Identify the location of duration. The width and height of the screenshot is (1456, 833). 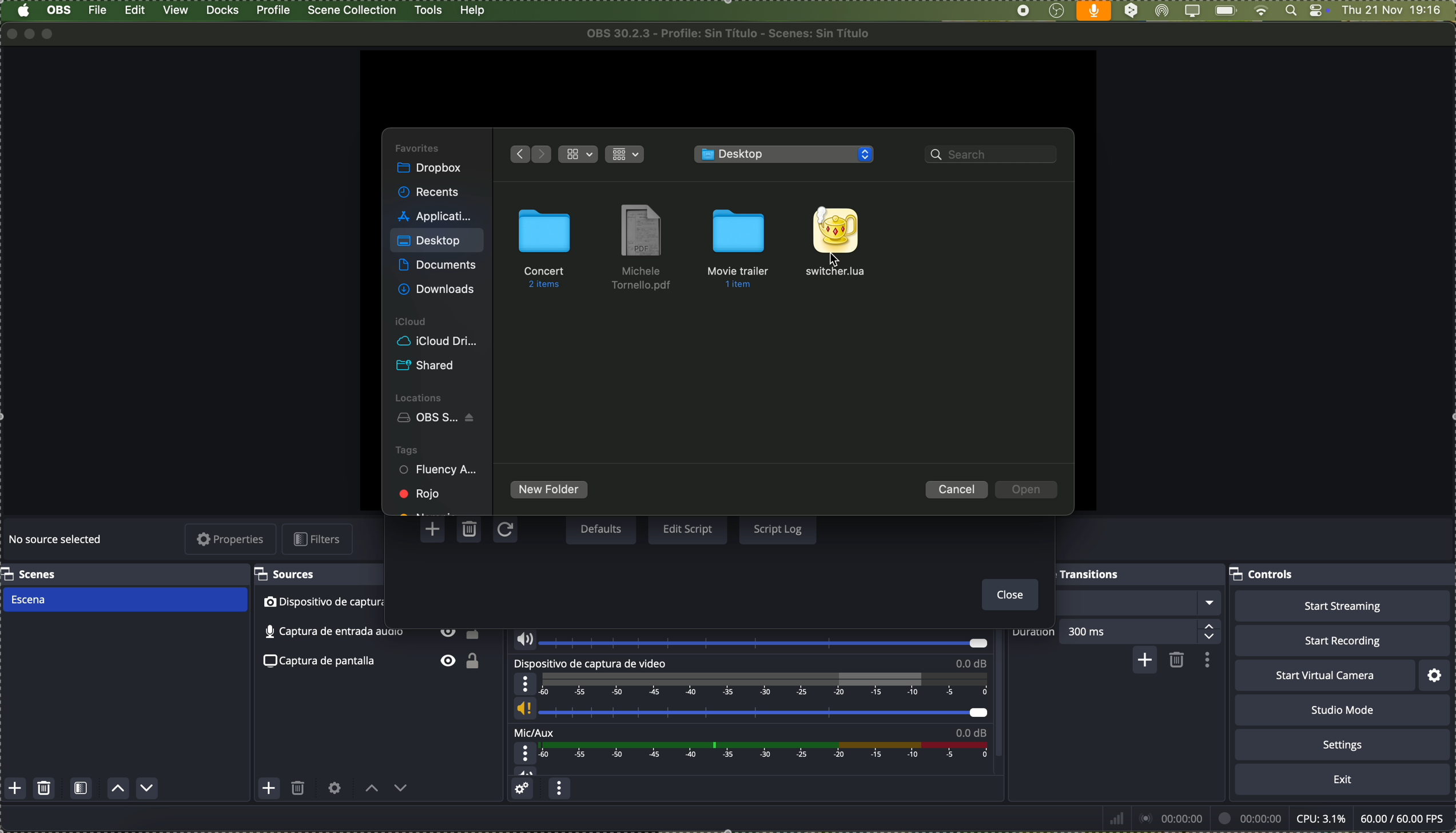
(1034, 633).